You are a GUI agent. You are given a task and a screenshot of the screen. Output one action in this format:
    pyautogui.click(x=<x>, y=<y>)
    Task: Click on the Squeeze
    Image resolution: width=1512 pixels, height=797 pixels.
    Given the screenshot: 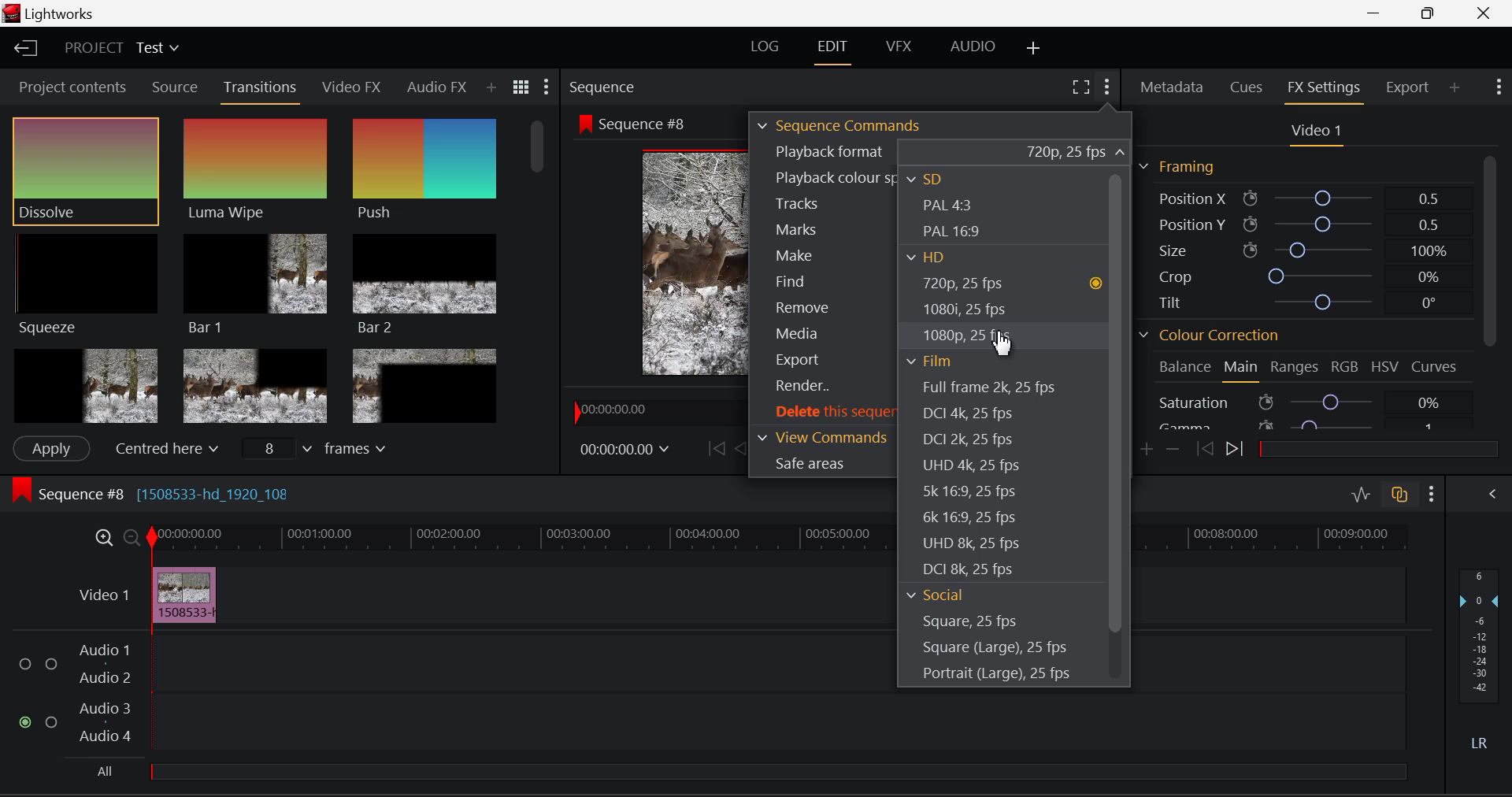 What is the action you would take?
    pyautogui.click(x=86, y=284)
    